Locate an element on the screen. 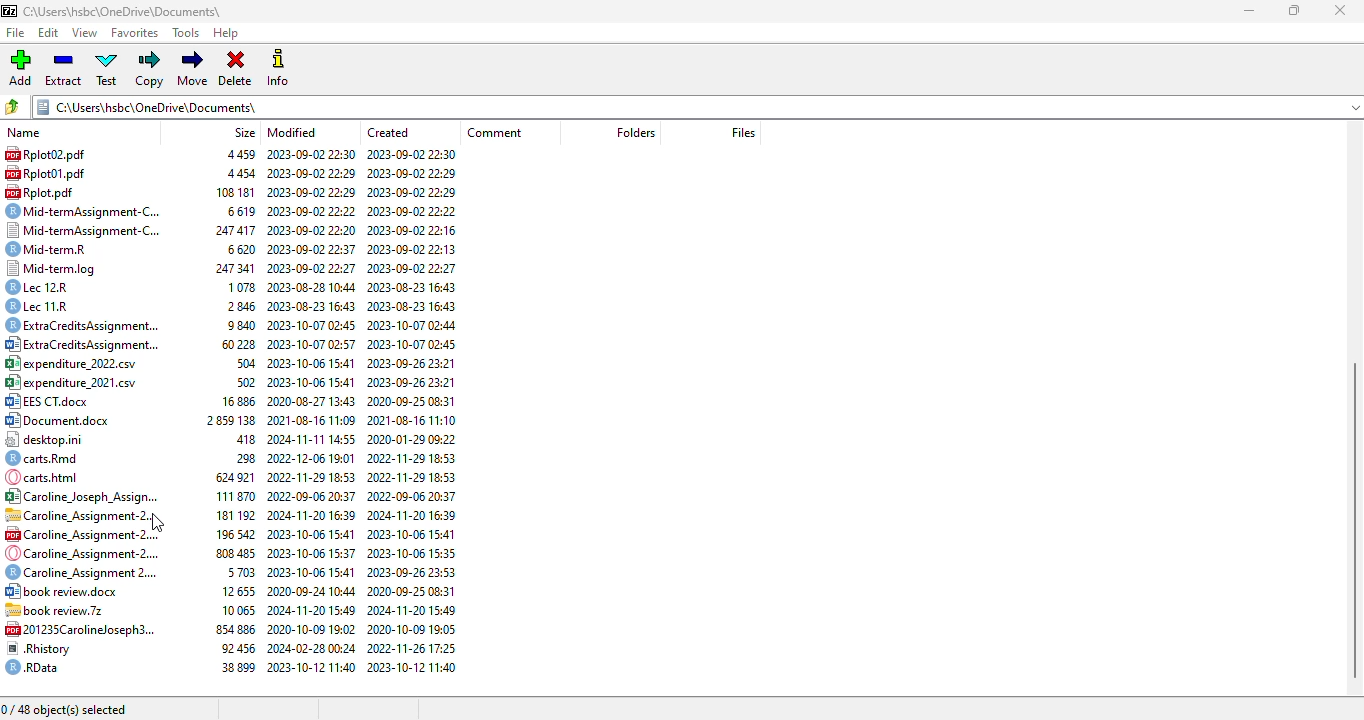  854886 is located at coordinates (232, 627).